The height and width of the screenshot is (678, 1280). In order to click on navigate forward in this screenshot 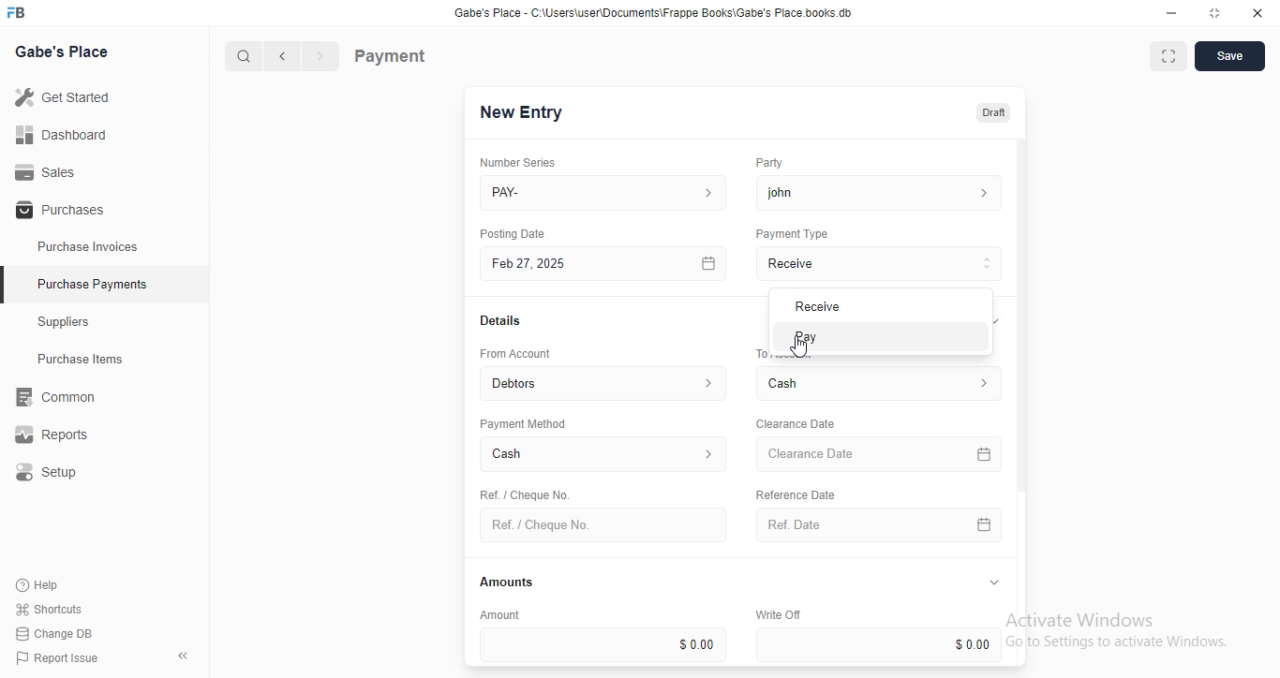, I will do `click(322, 57)`.